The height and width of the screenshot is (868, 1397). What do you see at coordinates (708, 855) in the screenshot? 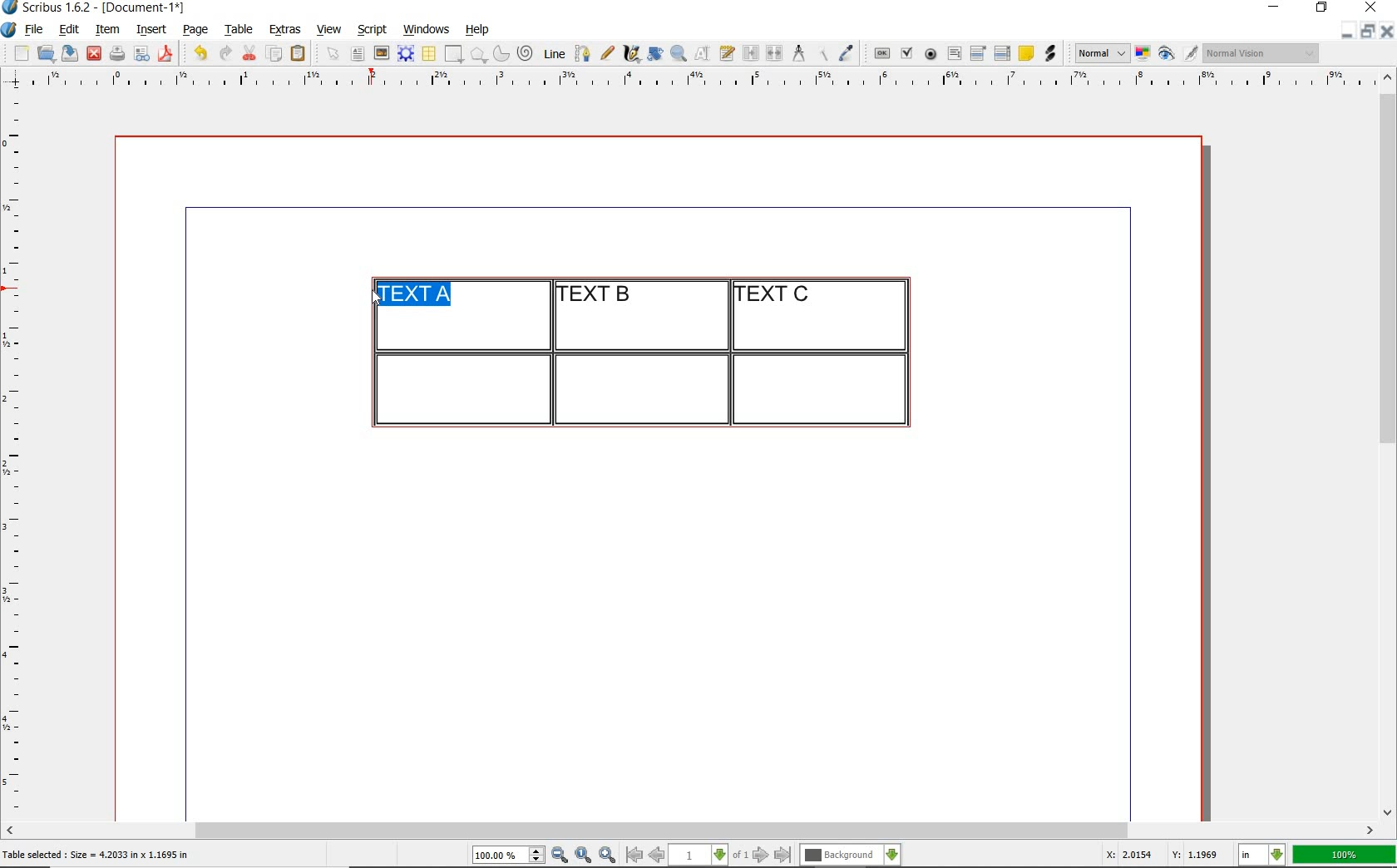
I see `select current page level` at bounding box center [708, 855].